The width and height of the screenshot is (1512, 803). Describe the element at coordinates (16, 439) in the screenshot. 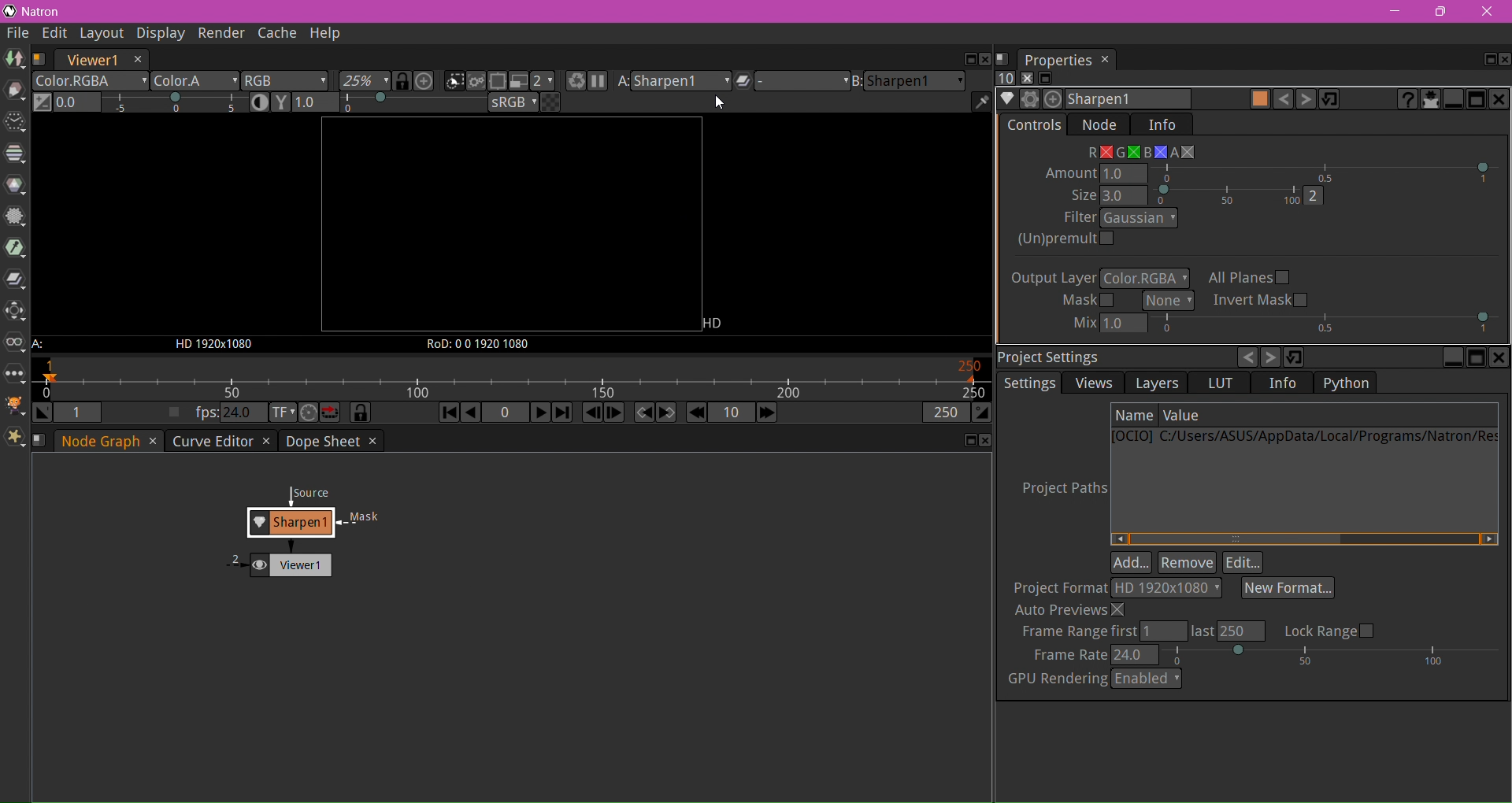

I see `Extra` at that location.